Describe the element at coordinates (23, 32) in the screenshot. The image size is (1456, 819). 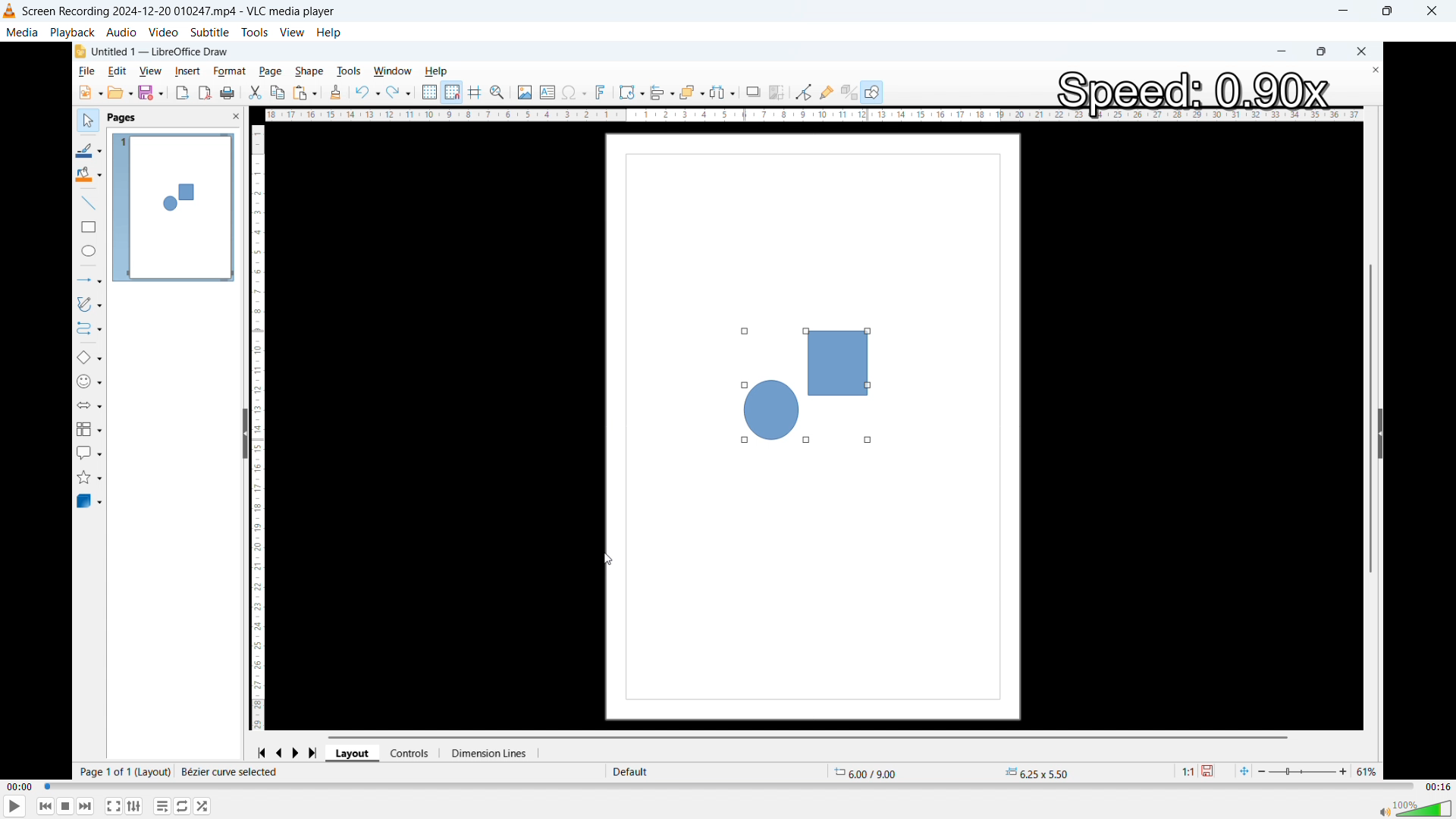
I see `Media ` at that location.